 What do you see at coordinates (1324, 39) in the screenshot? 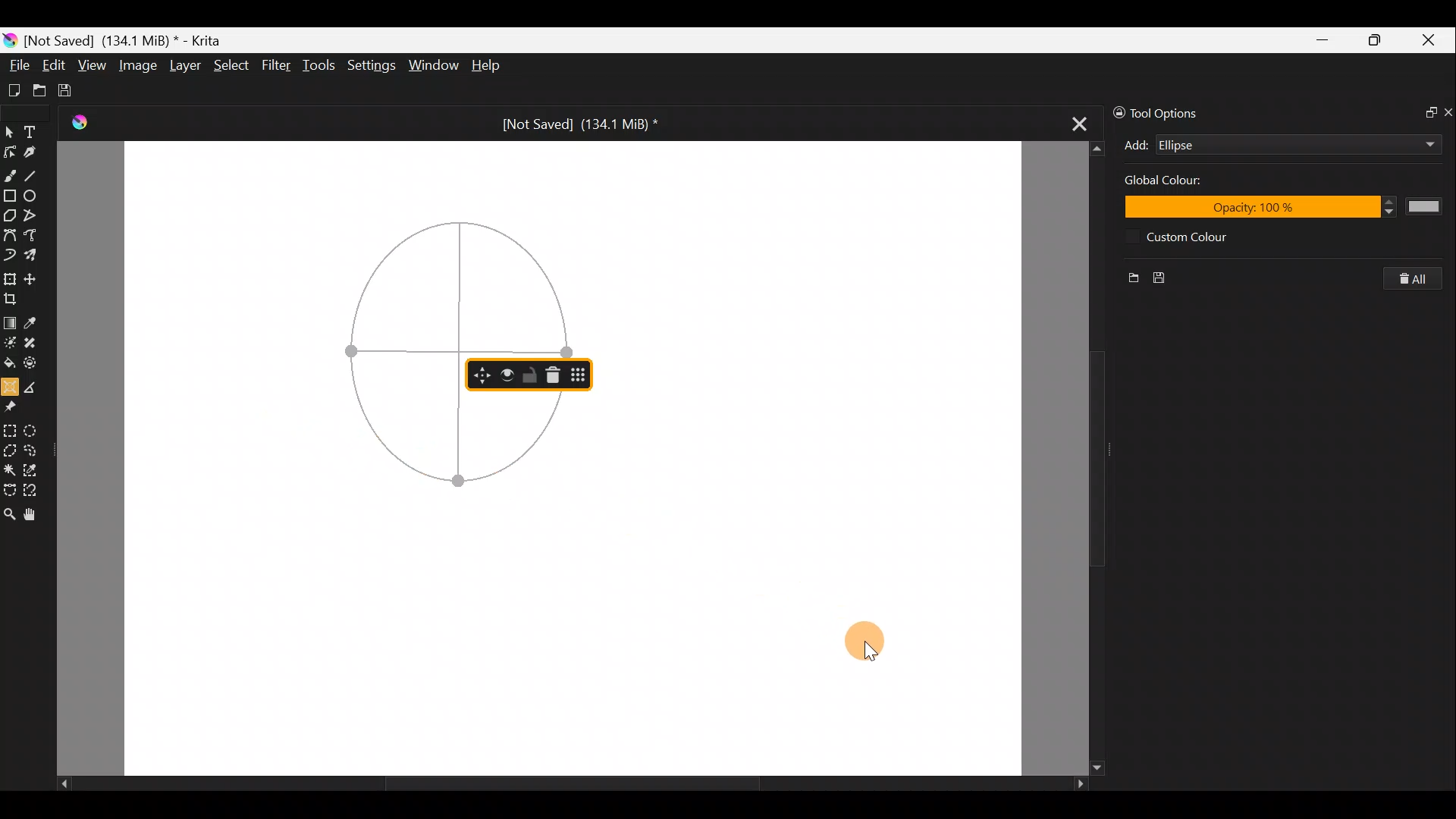
I see `Minimize` at bounding box center [1324, 39].